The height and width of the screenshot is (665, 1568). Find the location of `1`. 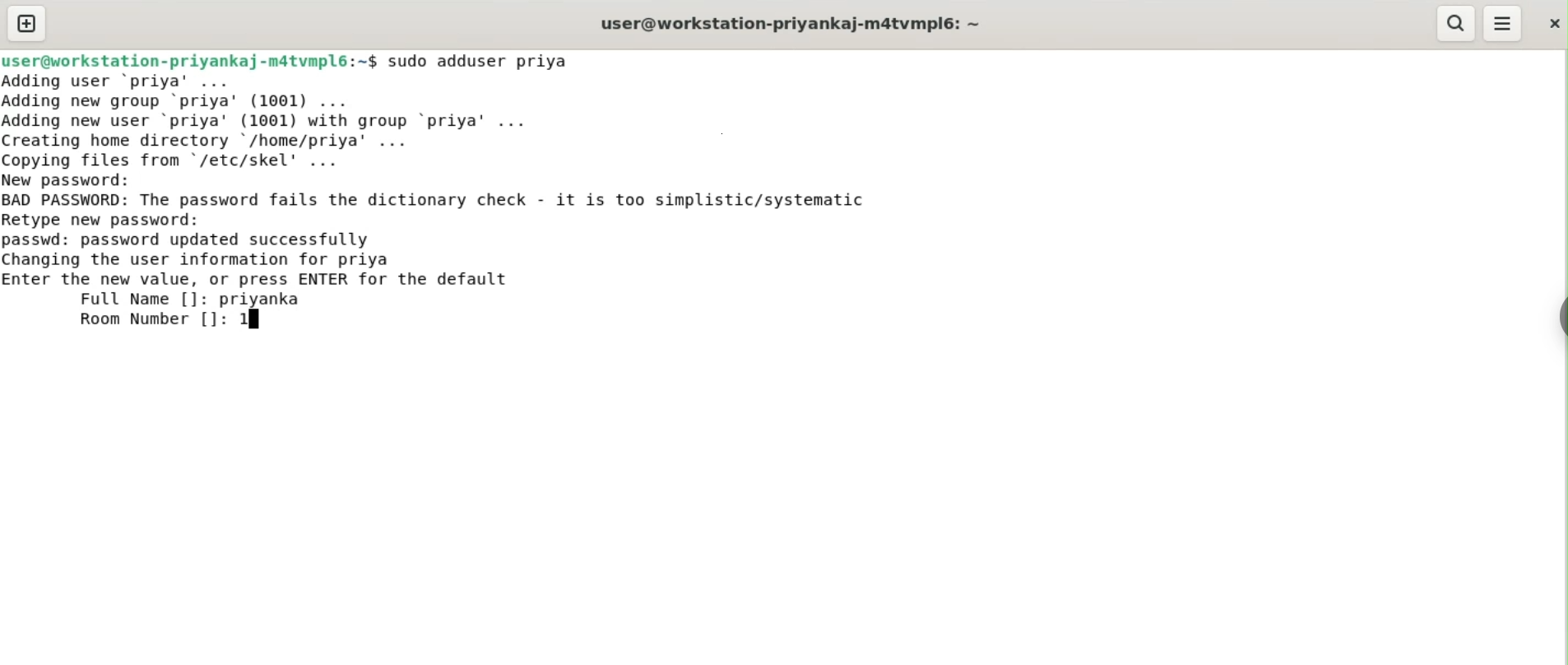

1 is located at coordinates (249, 322).